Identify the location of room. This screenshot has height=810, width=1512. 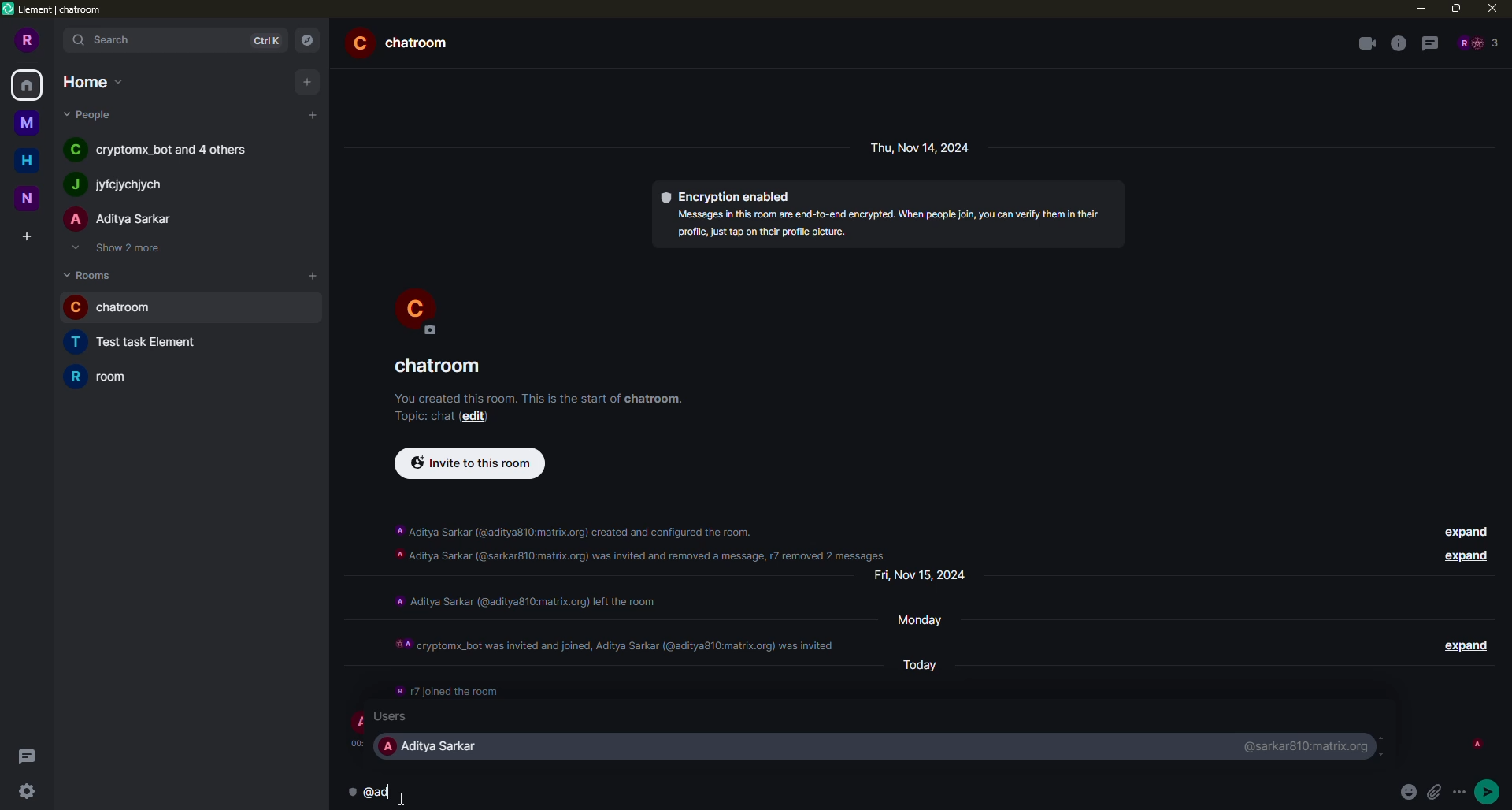
(118, 308).